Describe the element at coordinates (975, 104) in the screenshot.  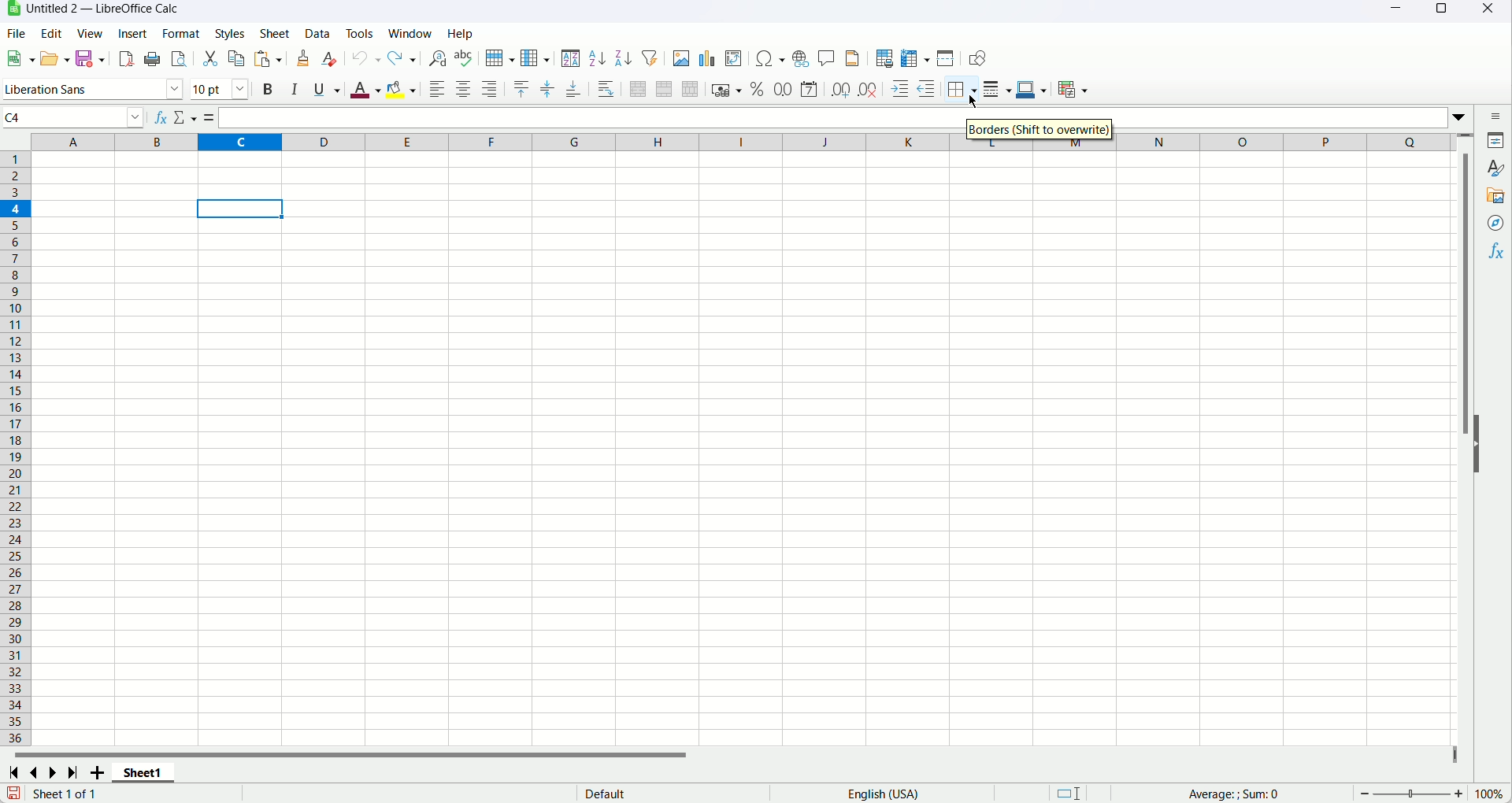
I see `cursor` at that location.